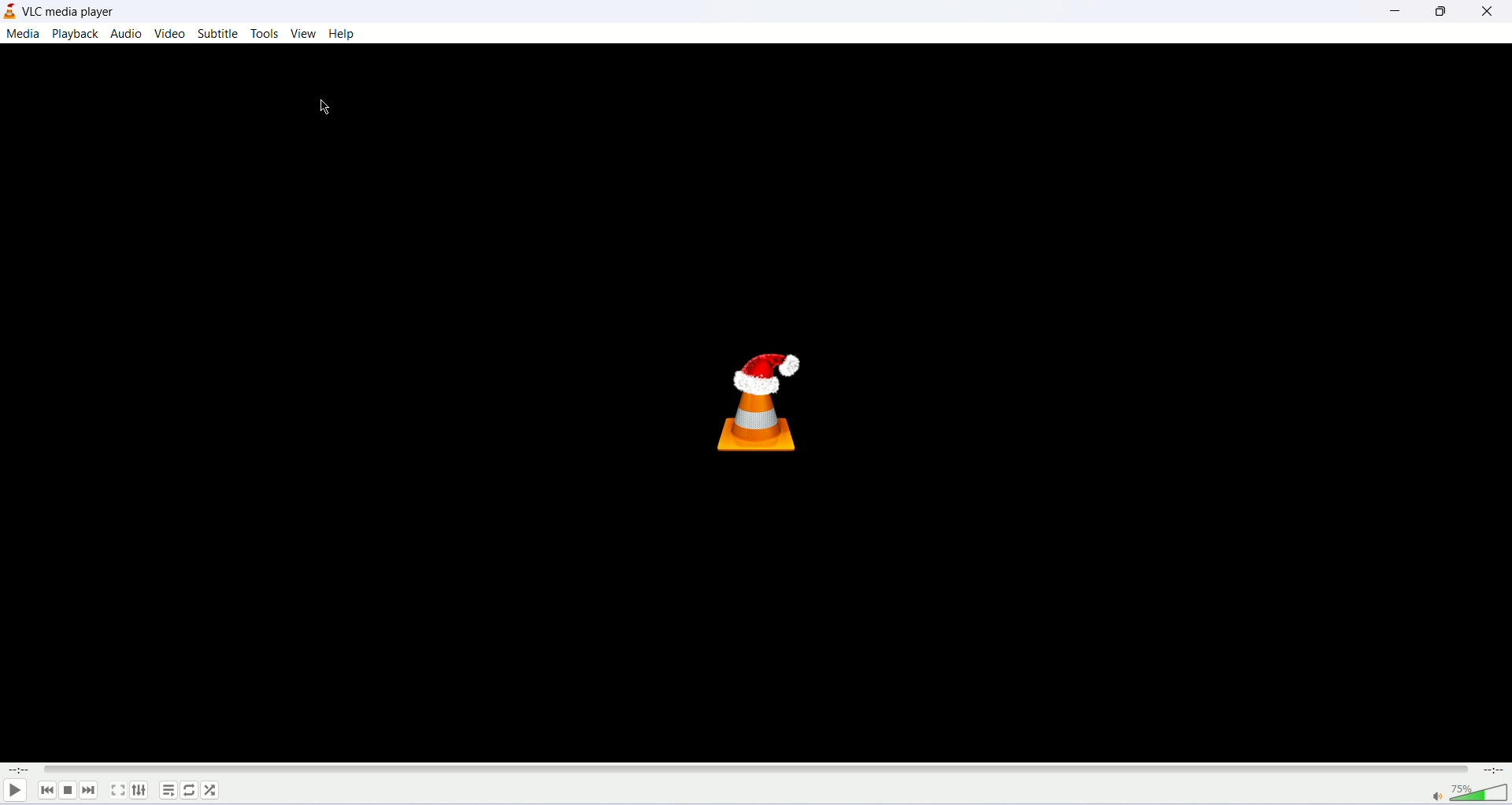 This screenshot has height=805, width=1512. Describe the element at coordinates (265, 35) in the screenshot. I see `tools` at that location.